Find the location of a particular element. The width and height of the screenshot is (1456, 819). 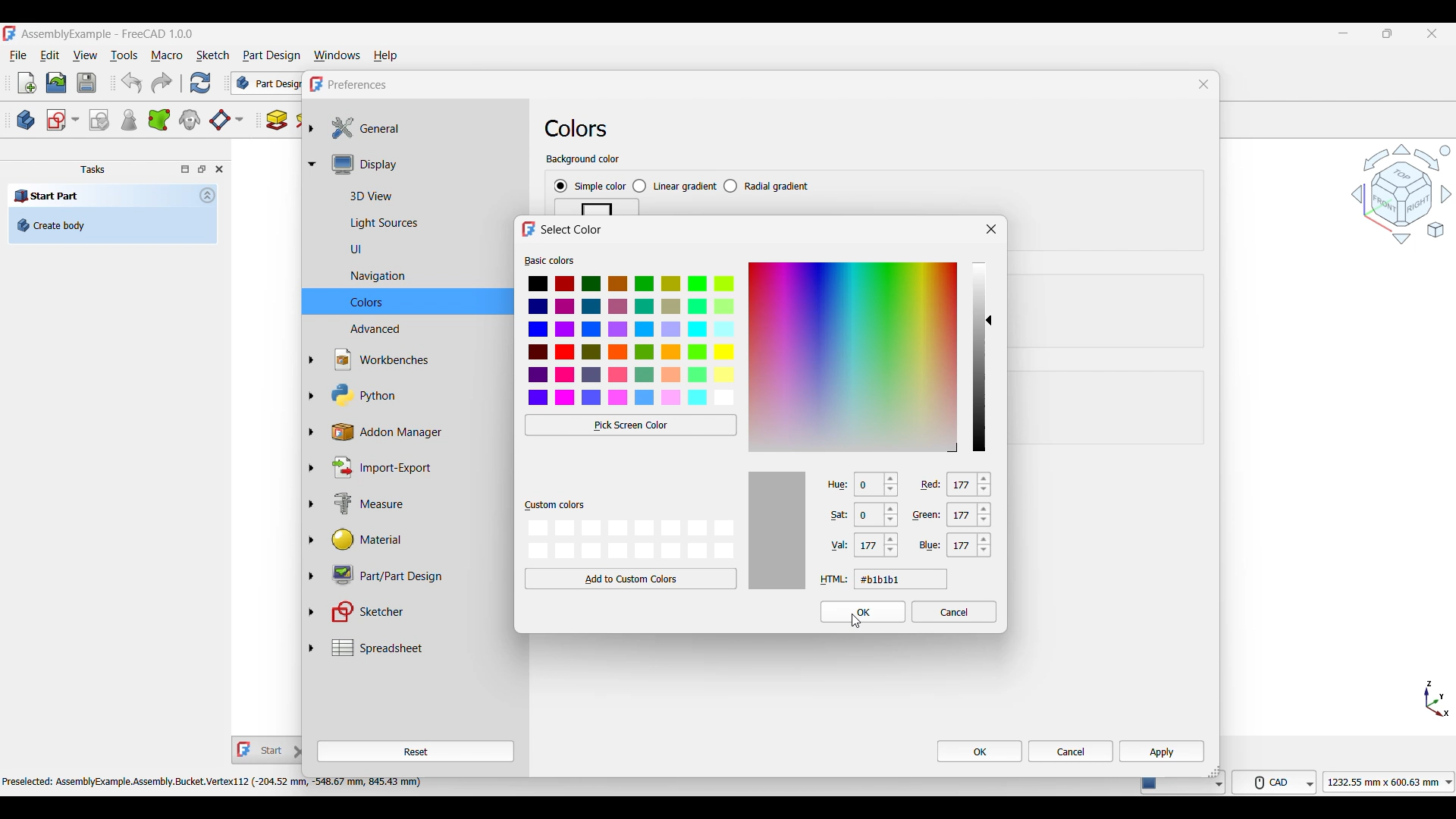

Minimize is located at coordinates (1343, 33).